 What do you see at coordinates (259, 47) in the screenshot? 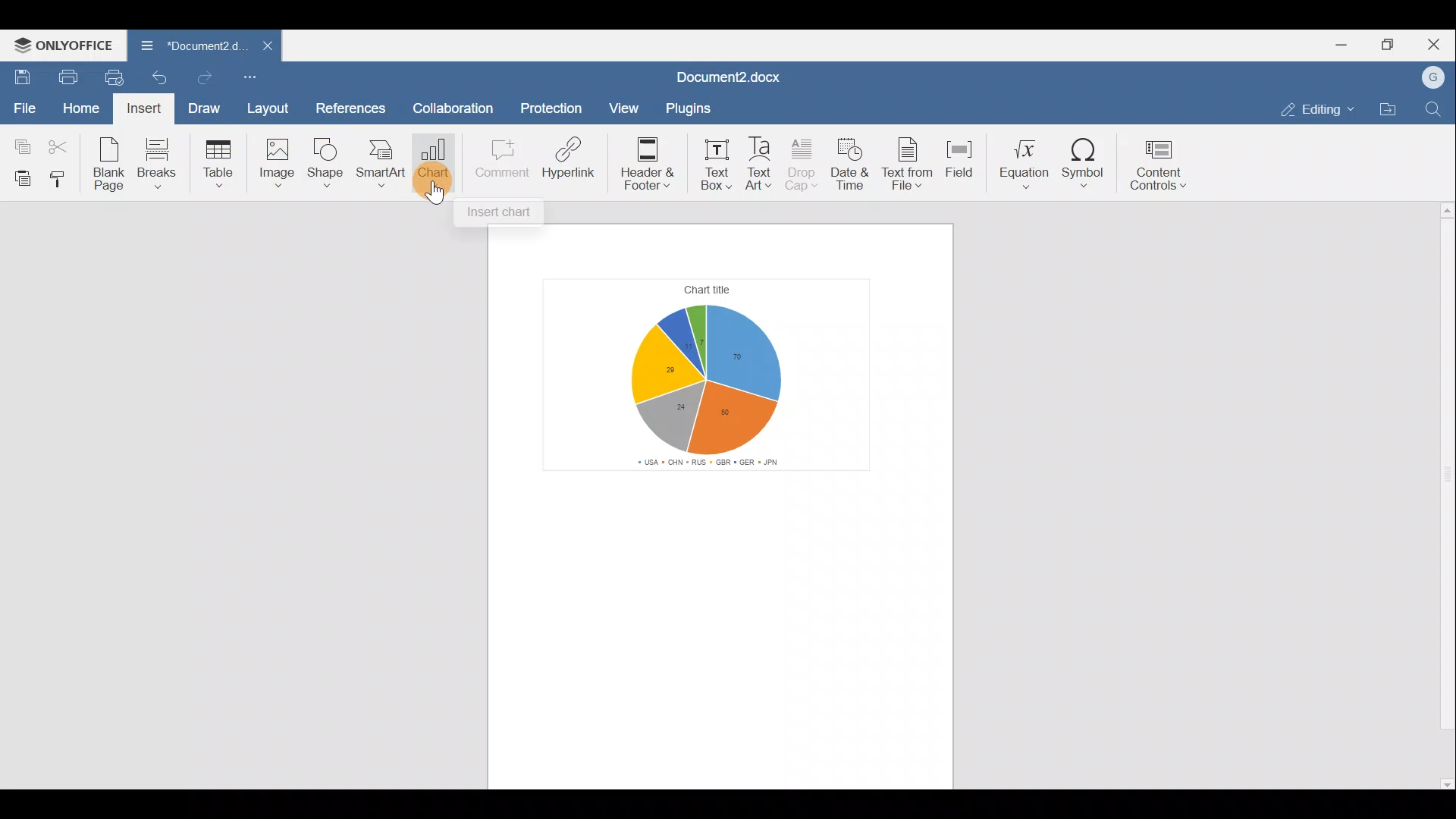
I see `Close document` at bounding box center [259, 47].